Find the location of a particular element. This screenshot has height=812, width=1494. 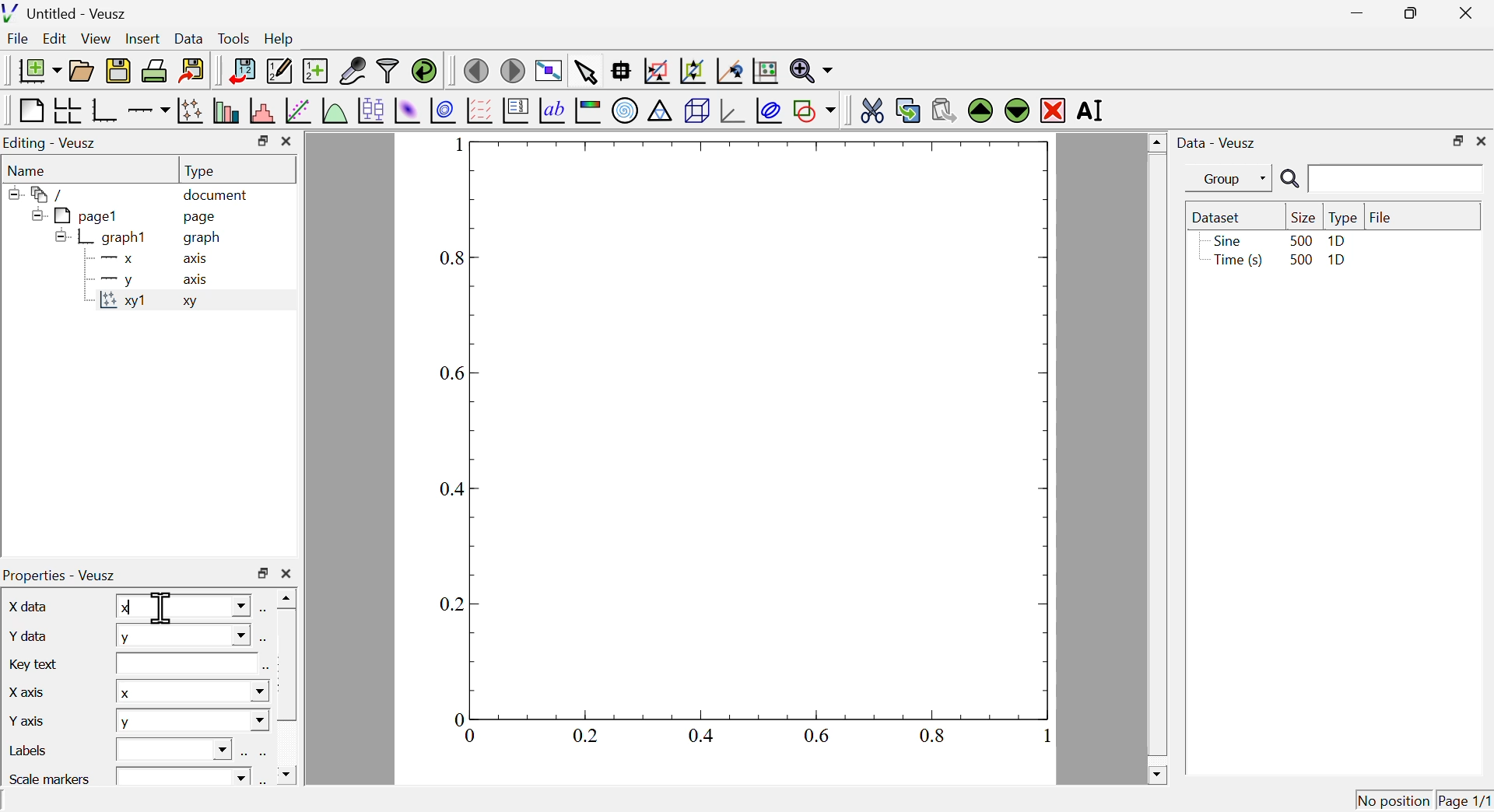

help is located at coordinates (279, 40).